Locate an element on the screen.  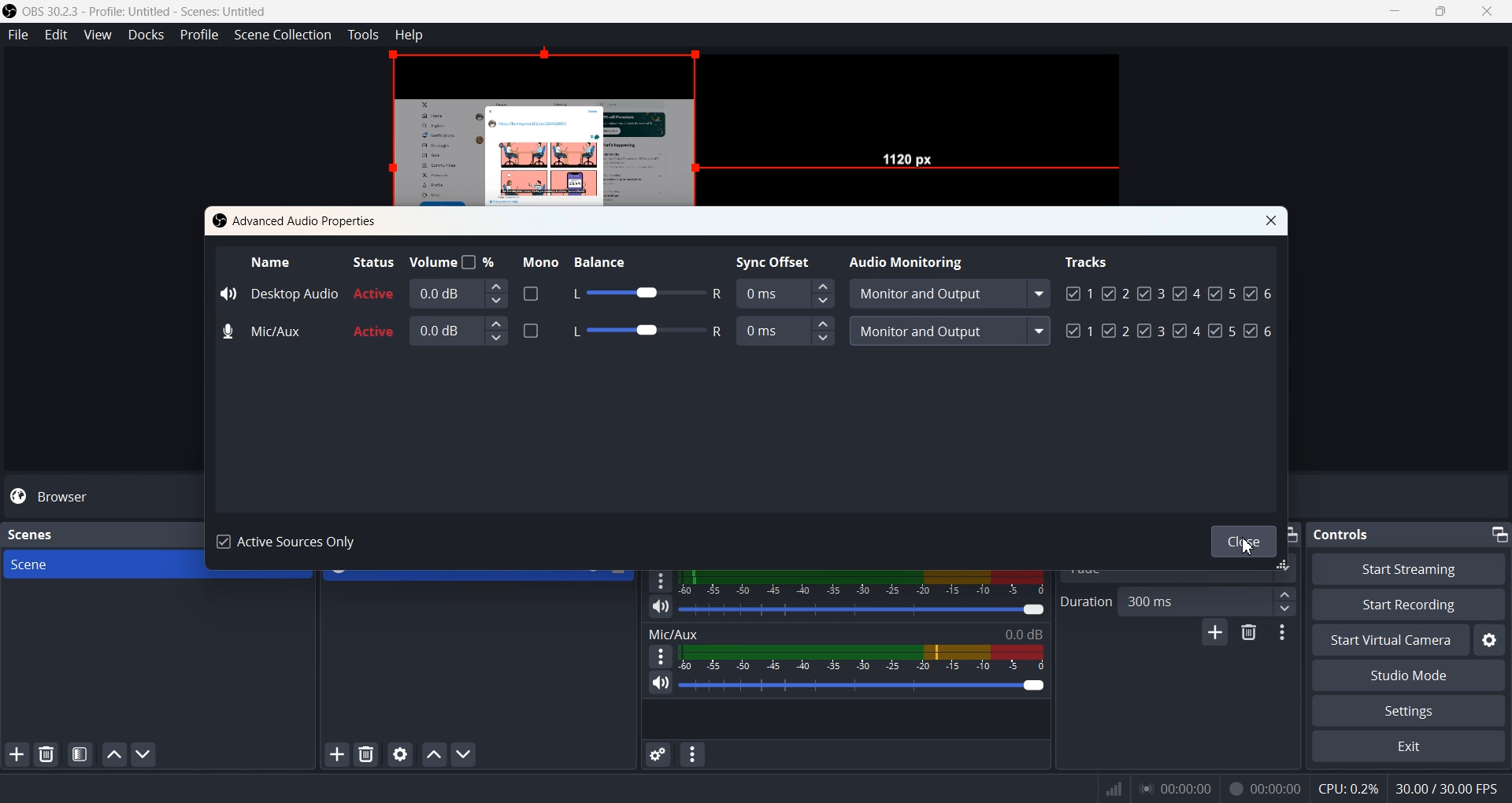
Enabled/ disable Mono is located at coordinates (531, 329).